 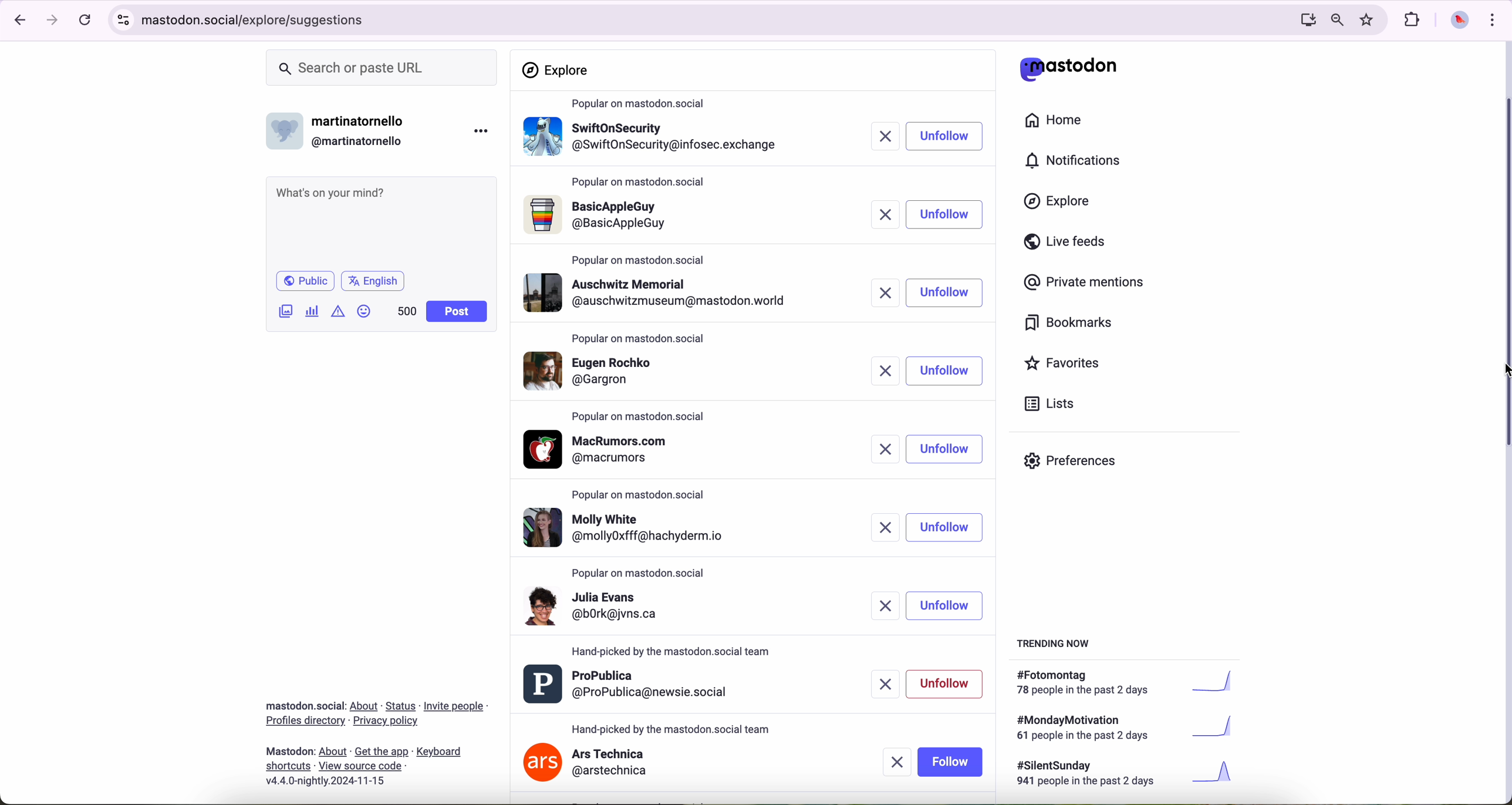 What do you see at coordinates (1067, 365) in the screenshot?
I see `favorites` at bounding box center [1067, 365].